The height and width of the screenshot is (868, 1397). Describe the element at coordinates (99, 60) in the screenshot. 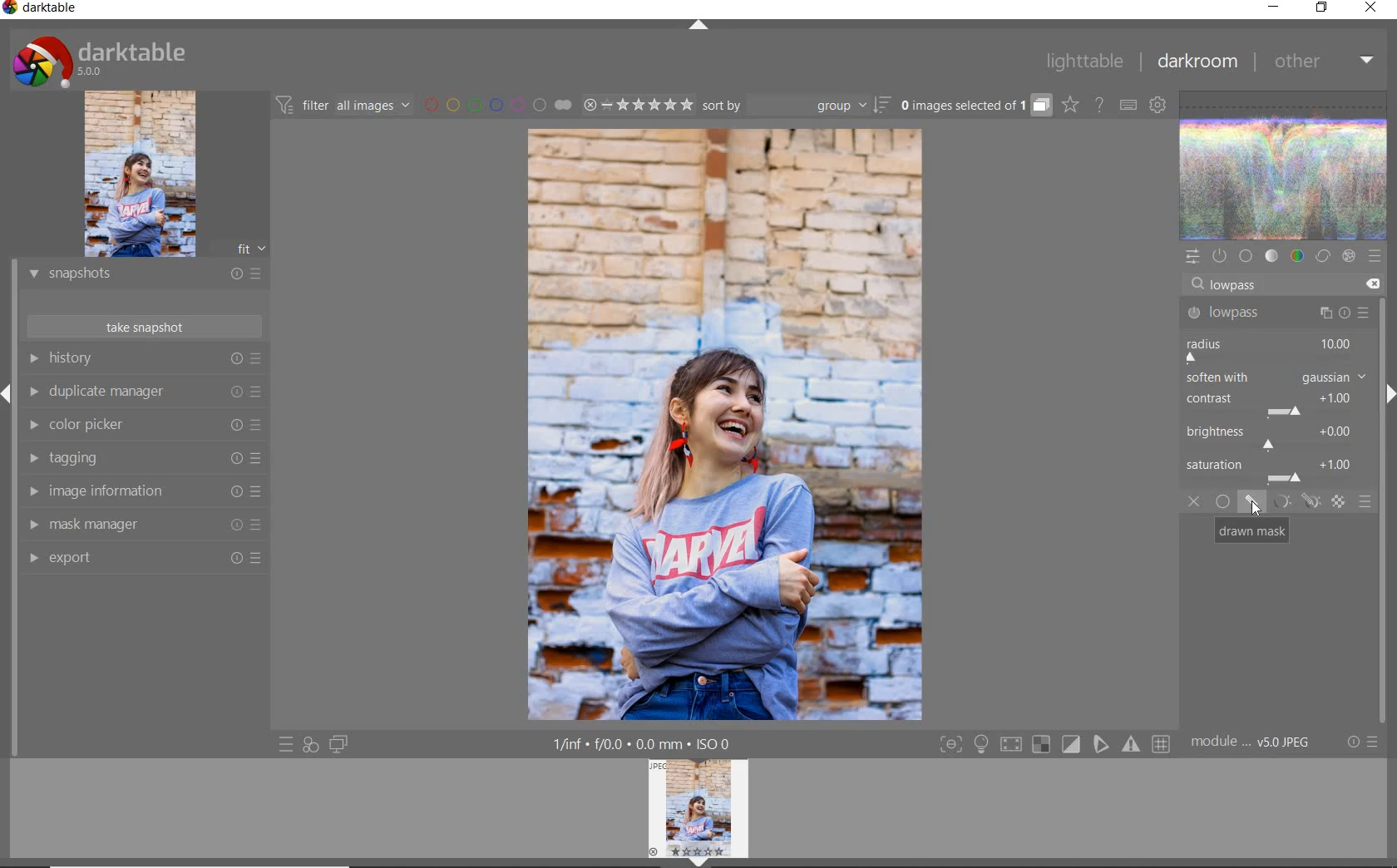

I see `system logo` at that location.